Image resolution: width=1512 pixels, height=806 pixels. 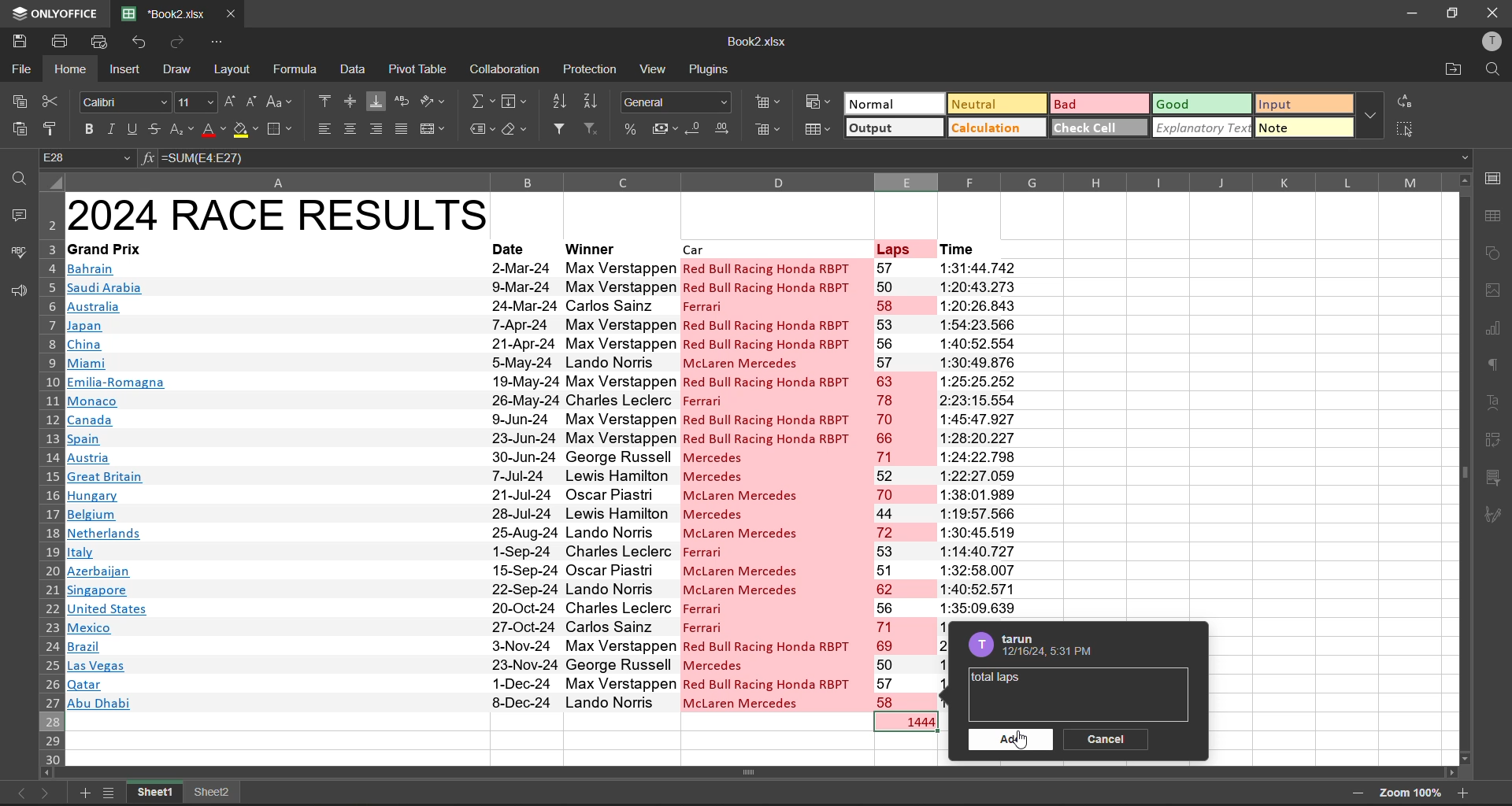 What do you see at coordinates (324, 100) in the screenshot?
I see `align top` at bounding box center [324, 100].